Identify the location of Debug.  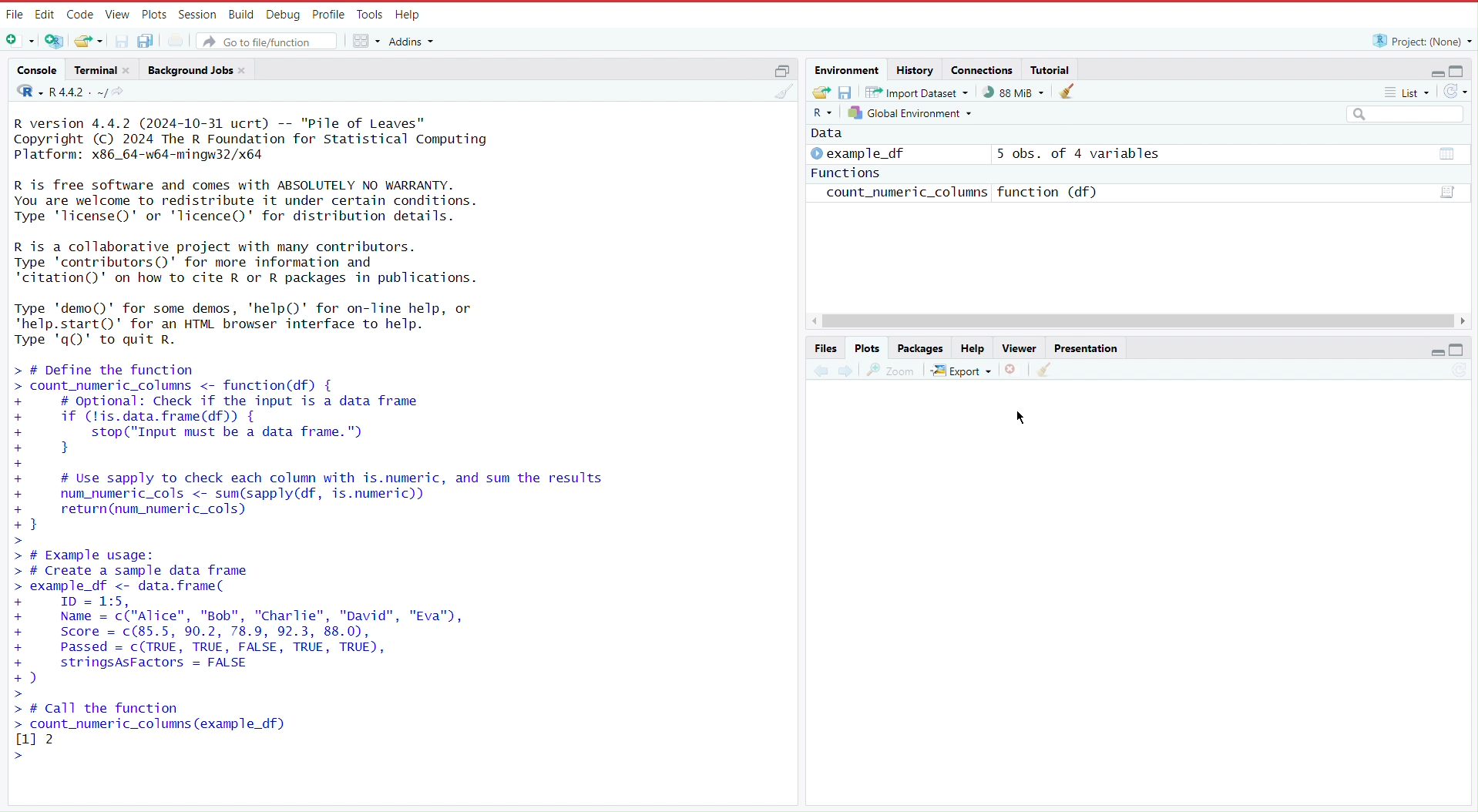
(281, 14).